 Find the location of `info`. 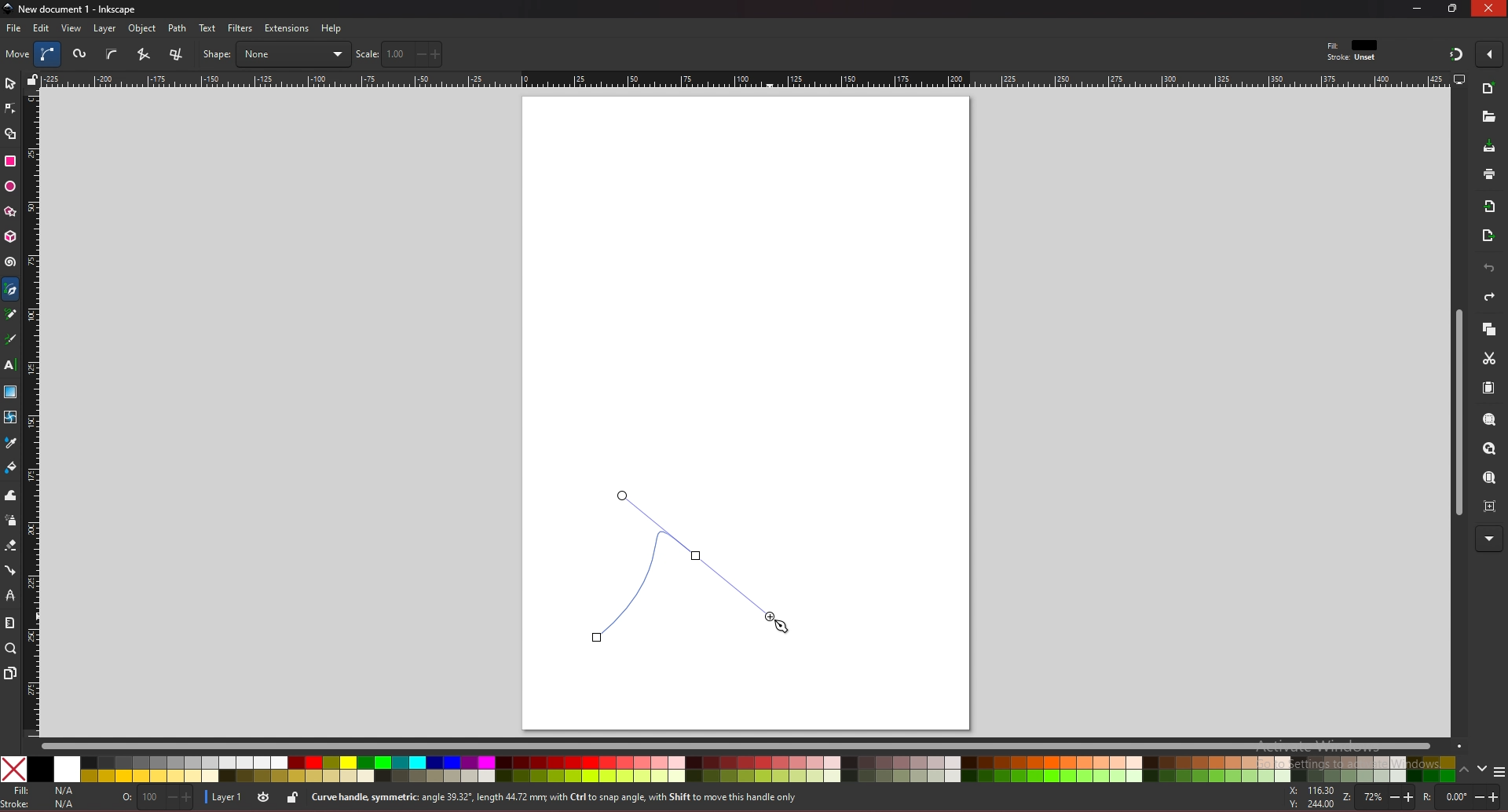

info is located at coordinates (588, 798).